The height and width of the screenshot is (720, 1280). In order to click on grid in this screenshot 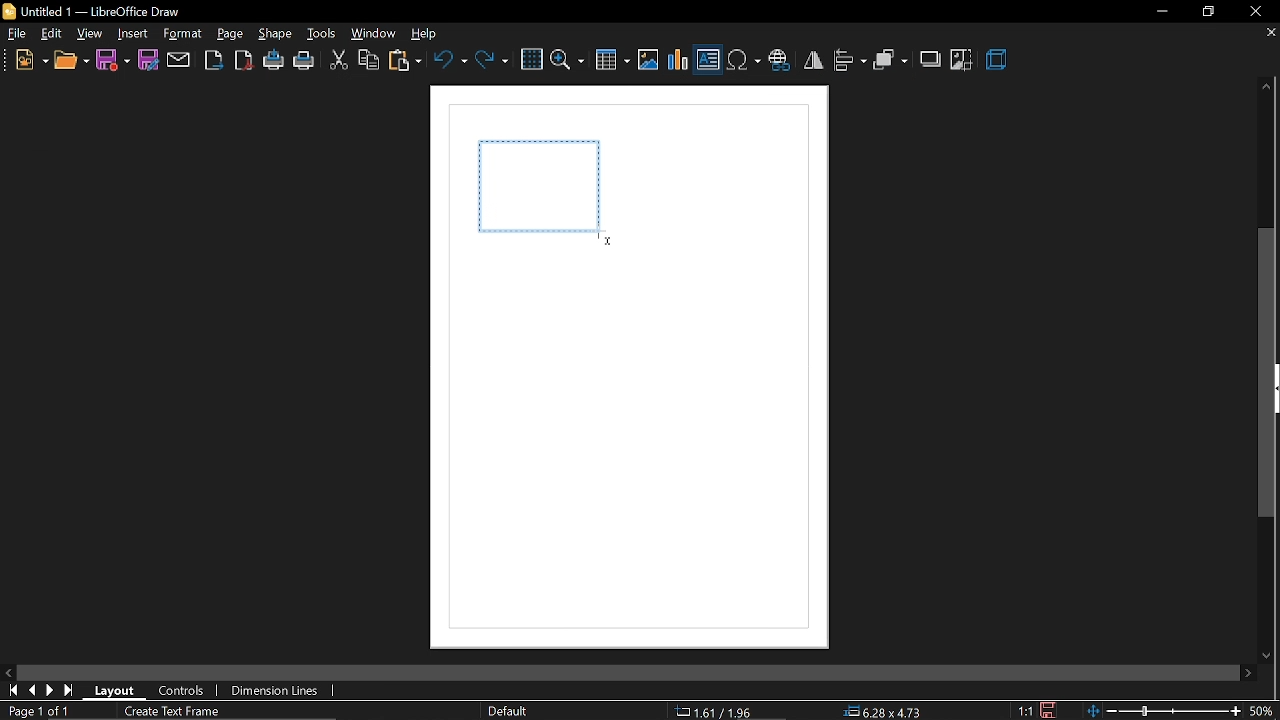, I will do `click(531, 60)`.